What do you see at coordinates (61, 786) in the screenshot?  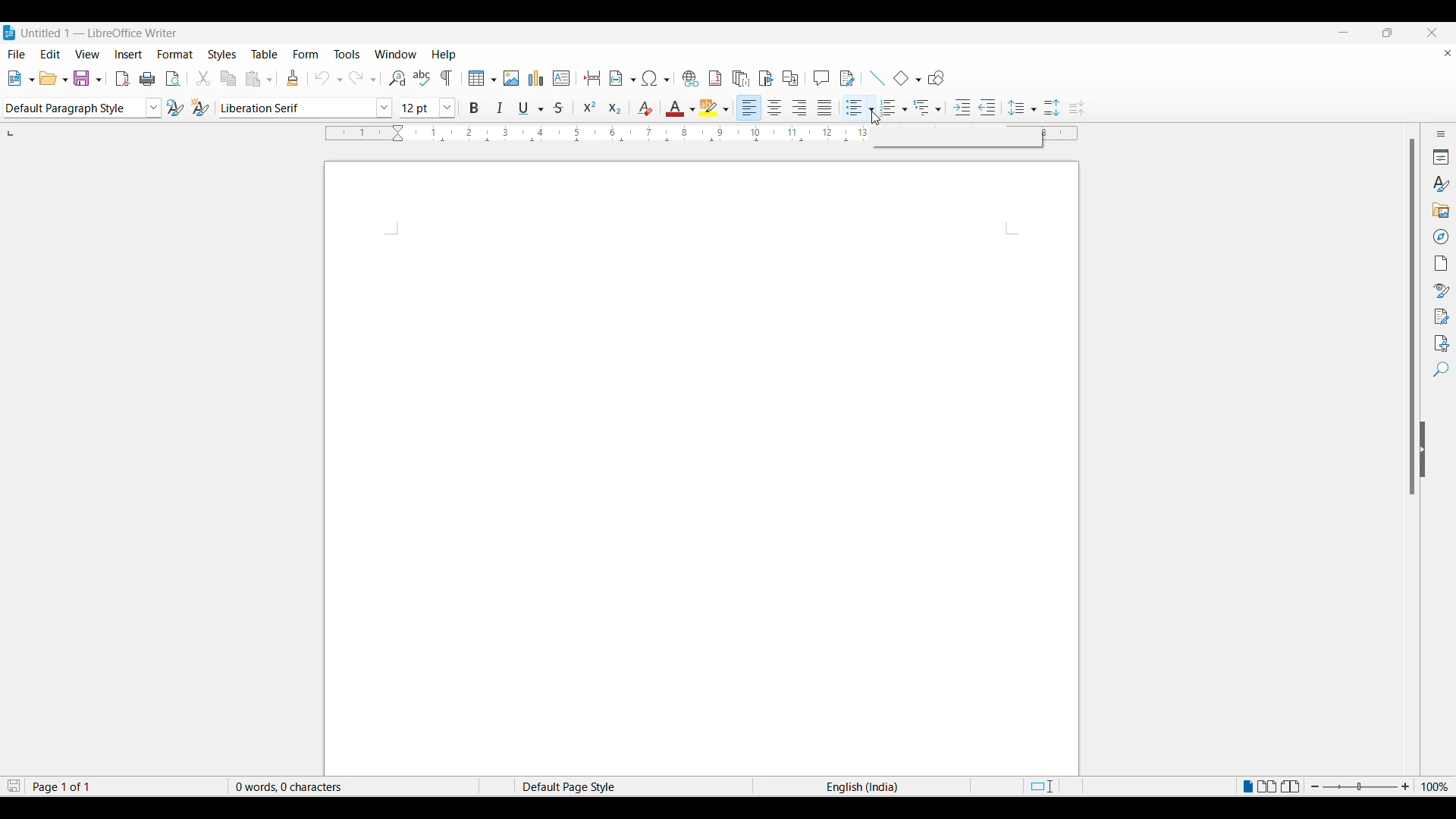 I see `Page 1 of 1` at bounding box center [61, 786].